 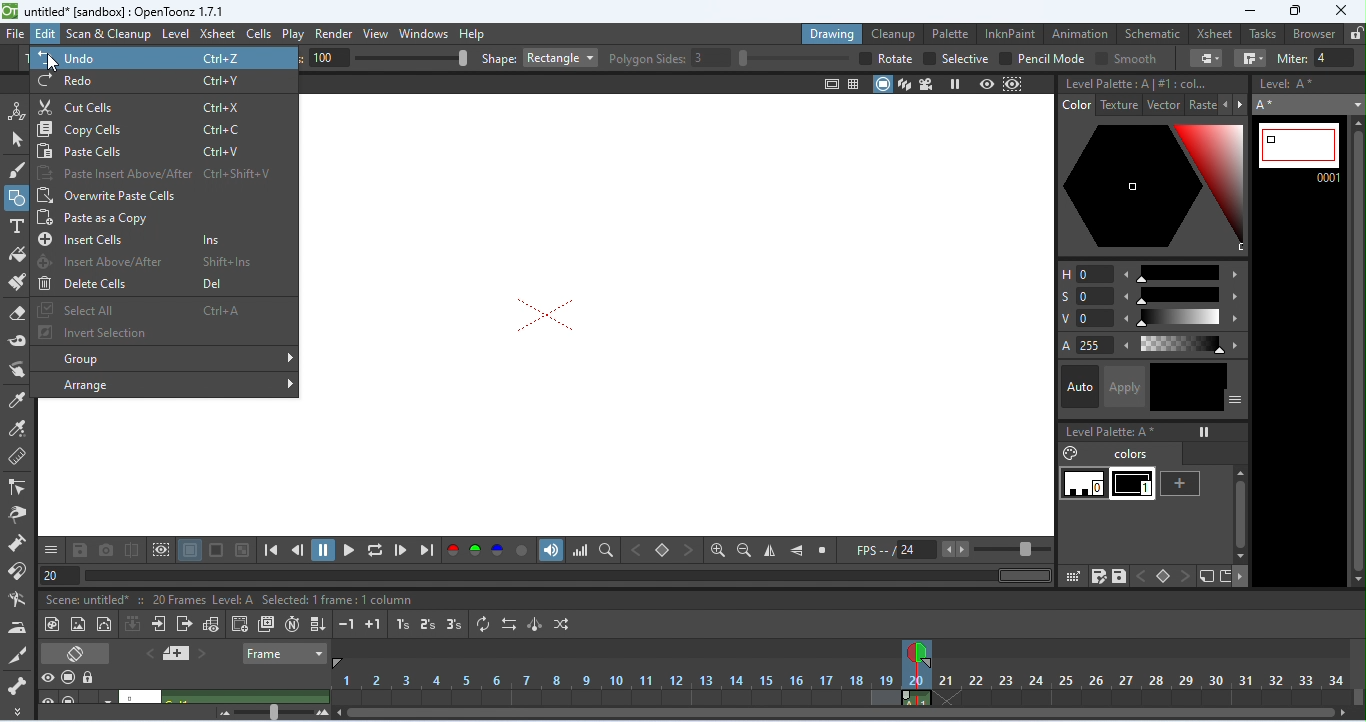 What do you see at coordinates (154, 332) in the screenshot?
I see `invert selection` at bounding box center [154, 332].